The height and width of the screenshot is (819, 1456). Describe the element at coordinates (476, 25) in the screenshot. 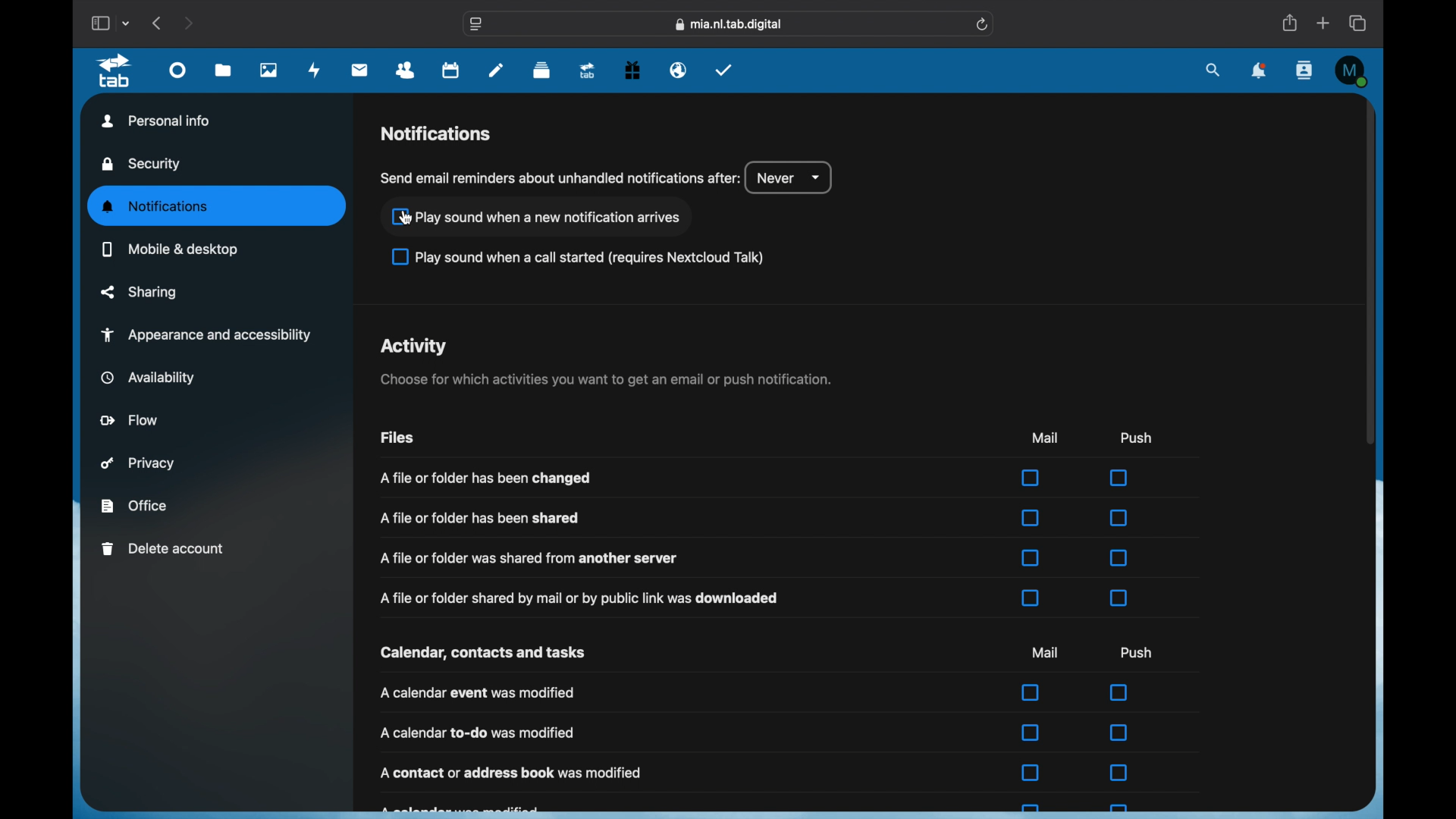

I see `website settings` at that location.